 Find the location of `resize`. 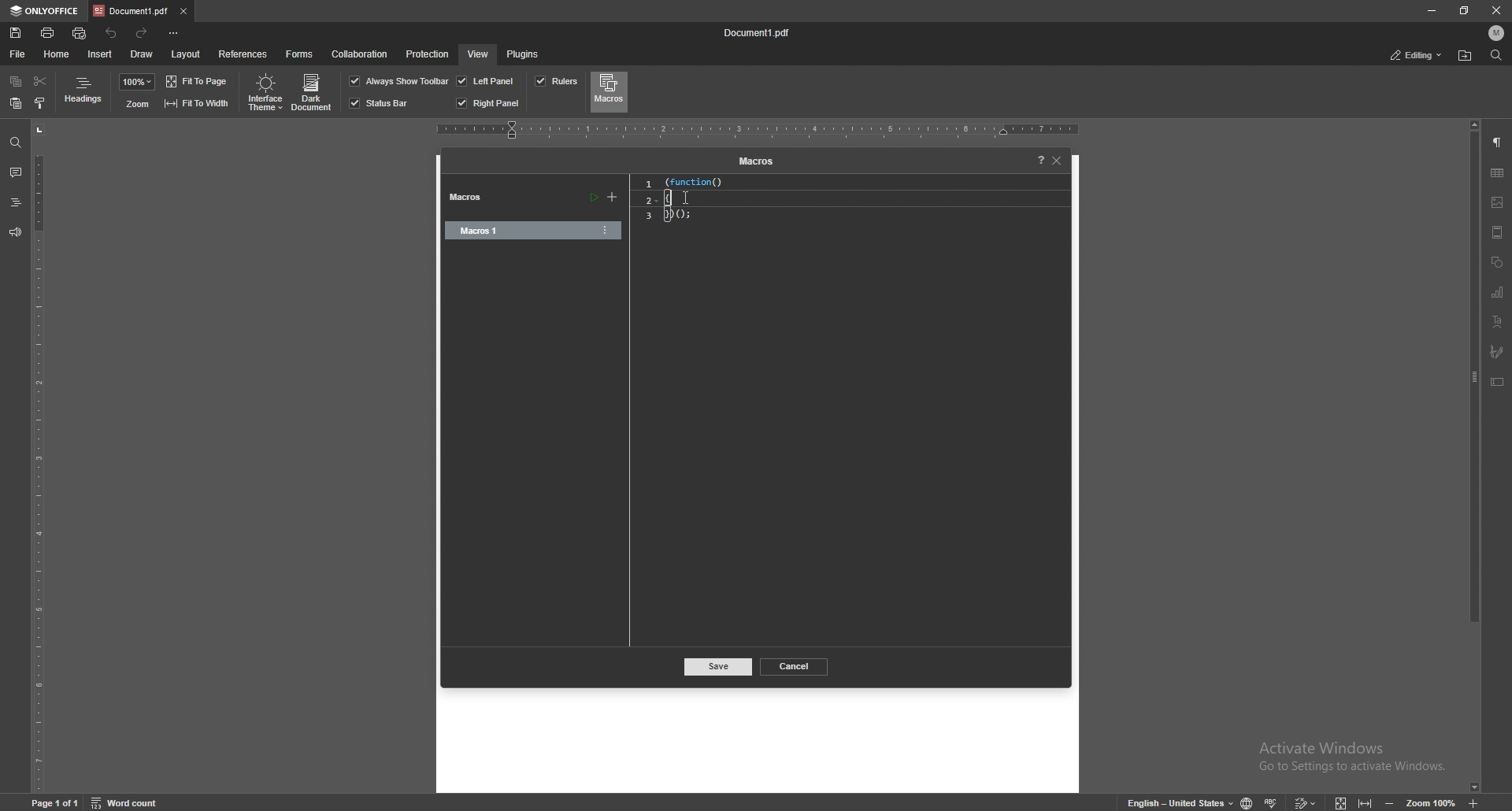

resize is located at coordinates (1464, 11).